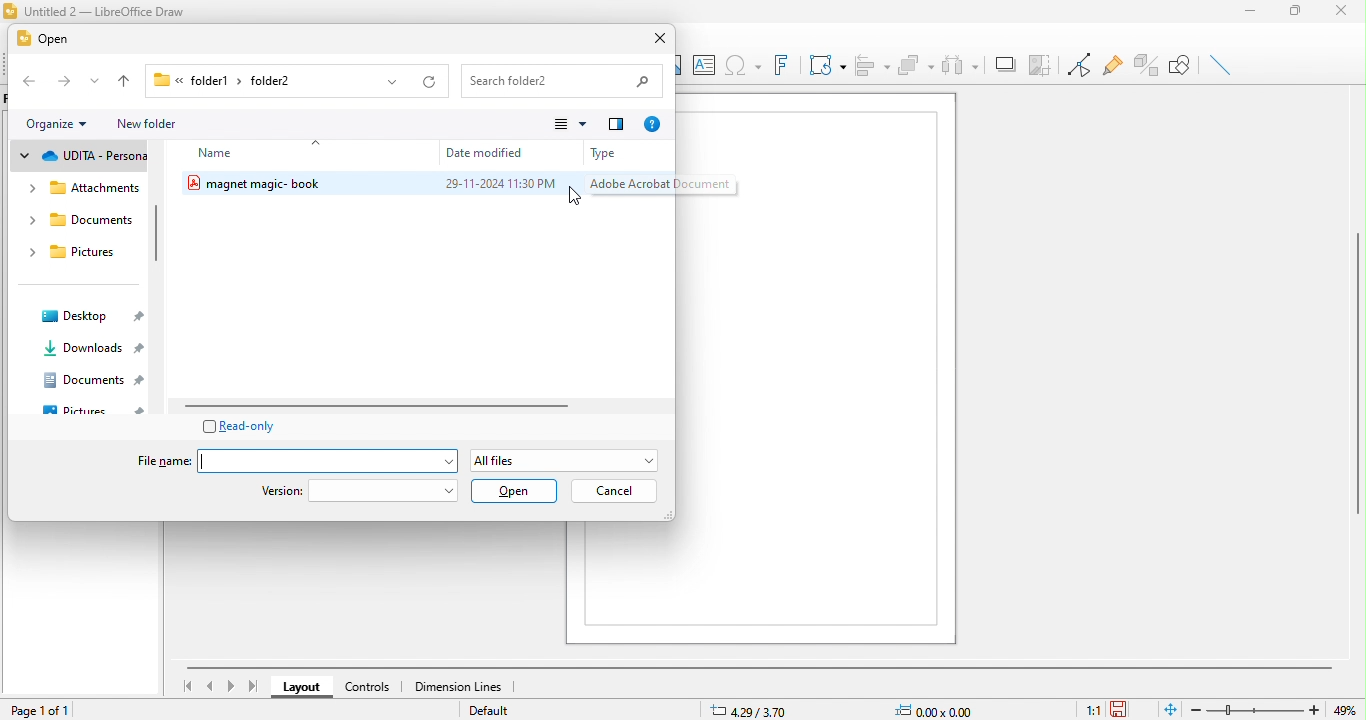 Image resolution: width=1366 pixels, height=720 pixels. What do you see at coordinates (10, 12) in the screenshot?
I see `Libre Logo` at bounding box center [10, 12].